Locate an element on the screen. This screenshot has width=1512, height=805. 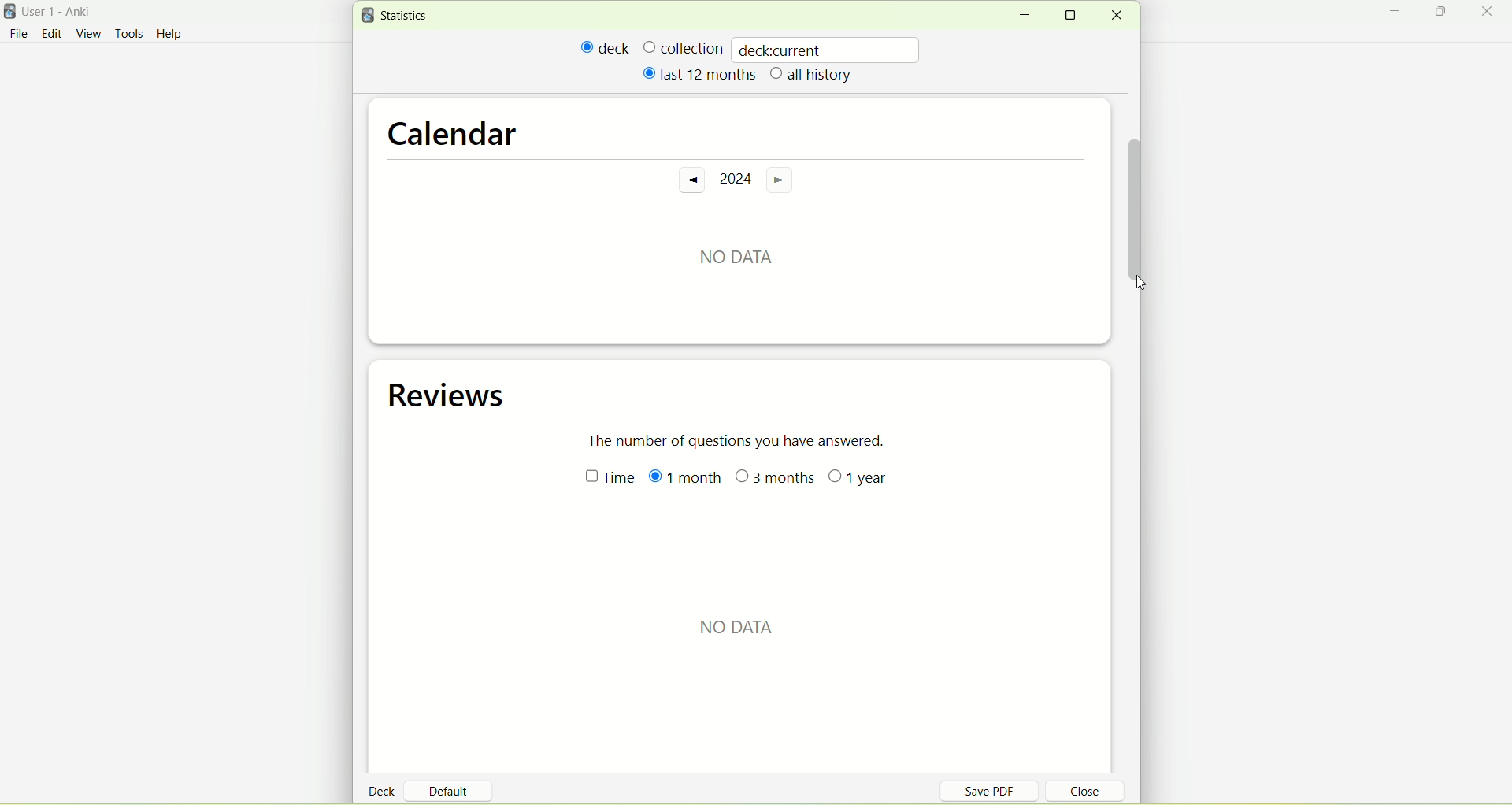
close is located at coordinates (1076, 793).